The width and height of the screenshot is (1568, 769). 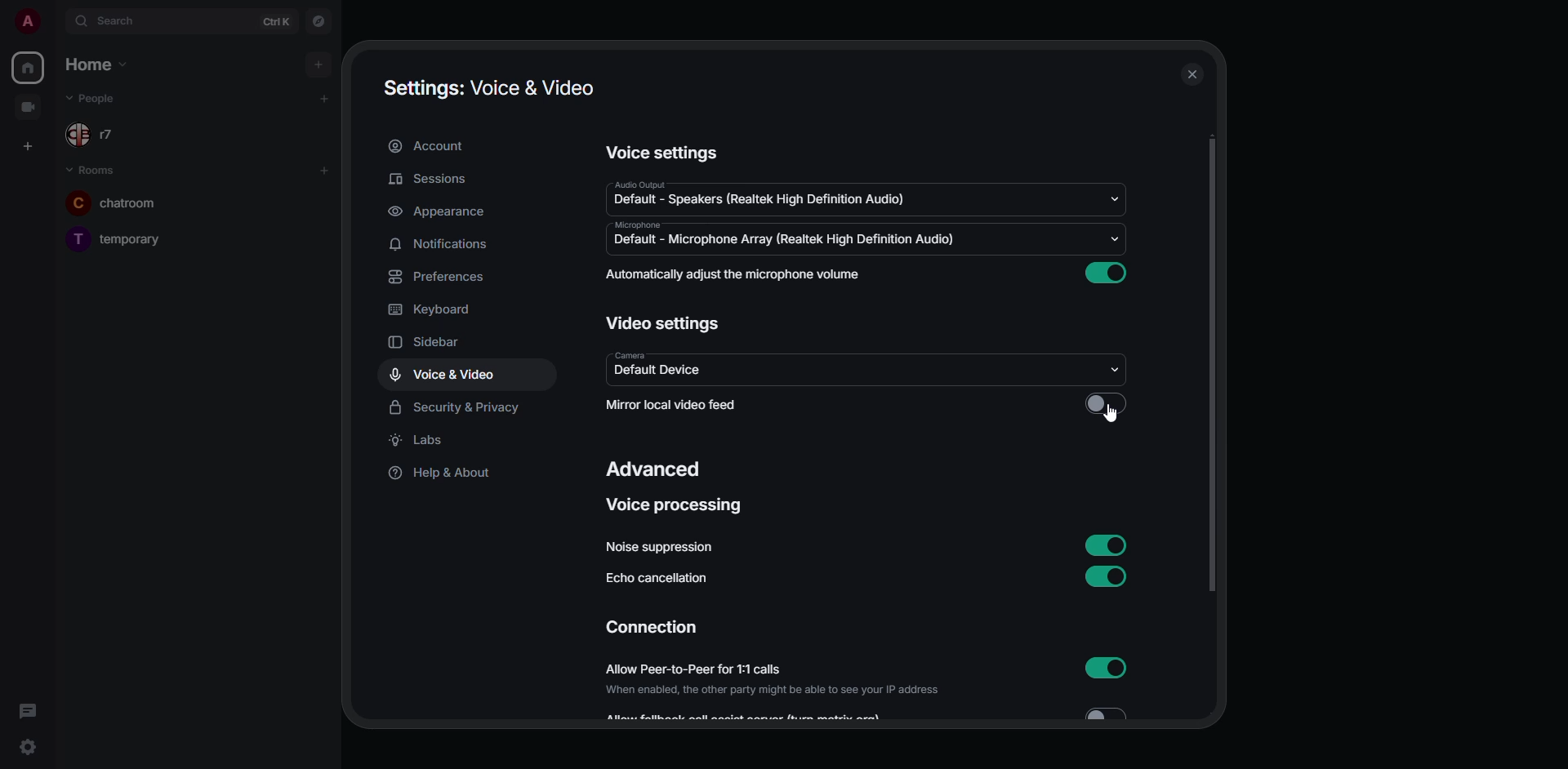 What do you see at coordinates (98, 64) in the screenshot?
I see `home` at bounding box center [98, 64].